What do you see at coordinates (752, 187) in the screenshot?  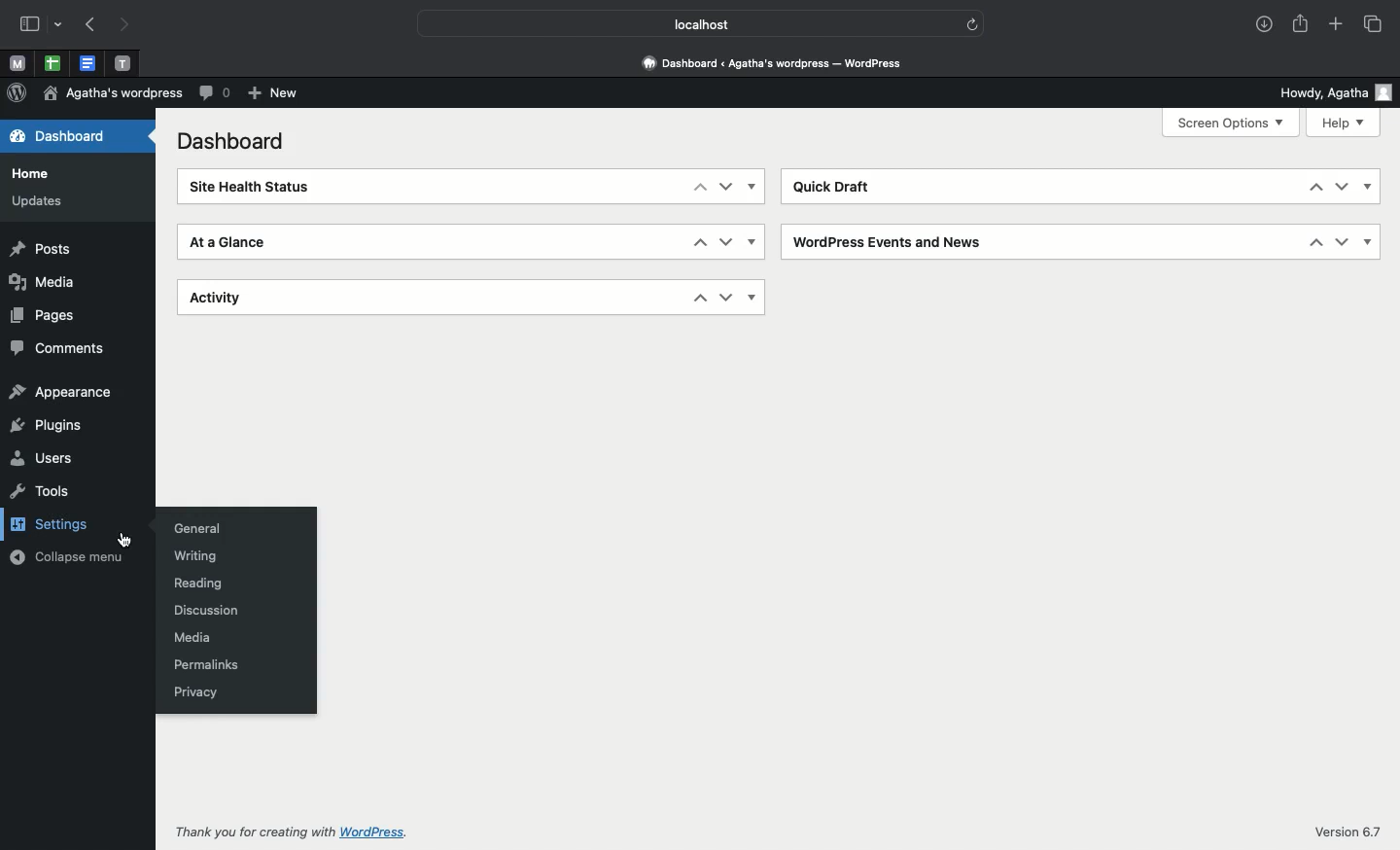 I see `show` at bounding box center [752, 187].